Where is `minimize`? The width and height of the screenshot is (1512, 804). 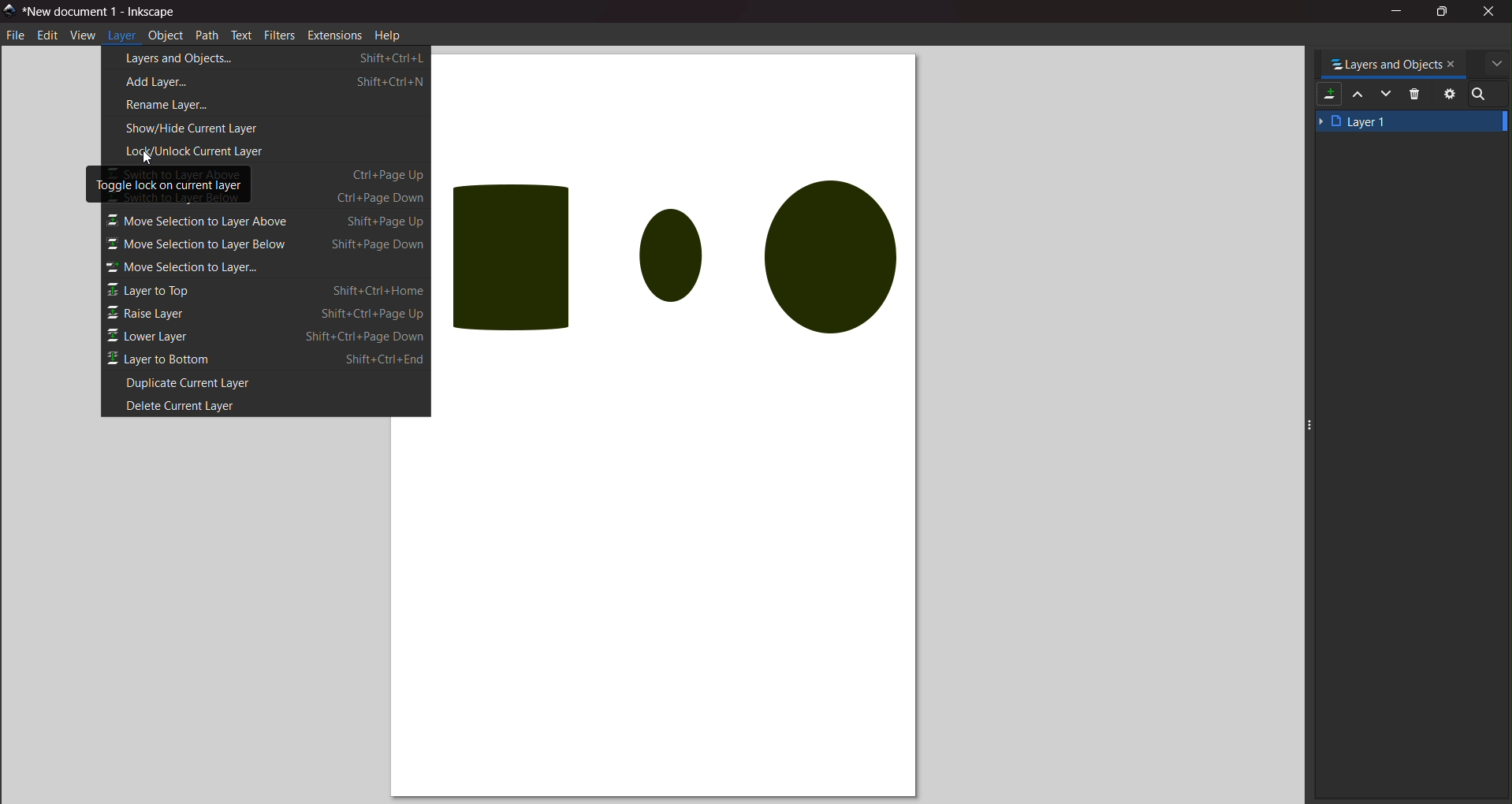
minimize is located at coordinates (1397, 13).